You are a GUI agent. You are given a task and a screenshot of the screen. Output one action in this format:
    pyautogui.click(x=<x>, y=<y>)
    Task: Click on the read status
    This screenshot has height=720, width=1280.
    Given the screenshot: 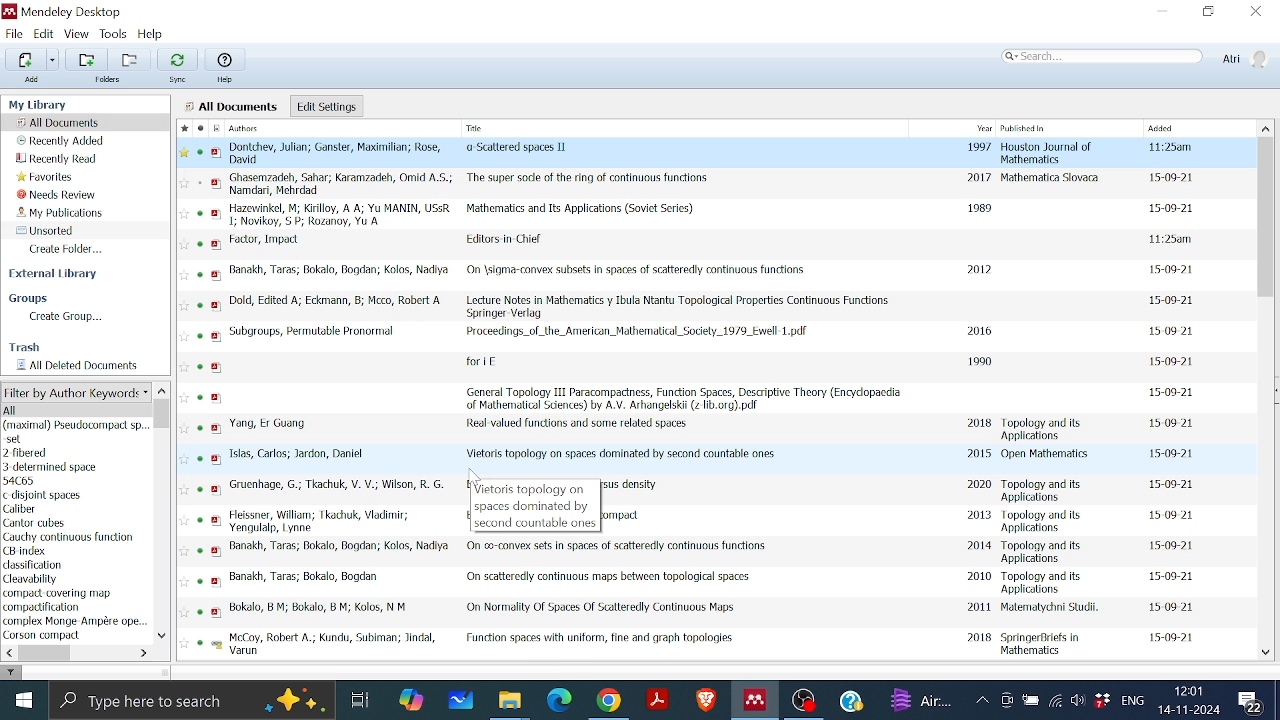 What is the action you would take?
    pyautogui.click(x=202, y=553)
    